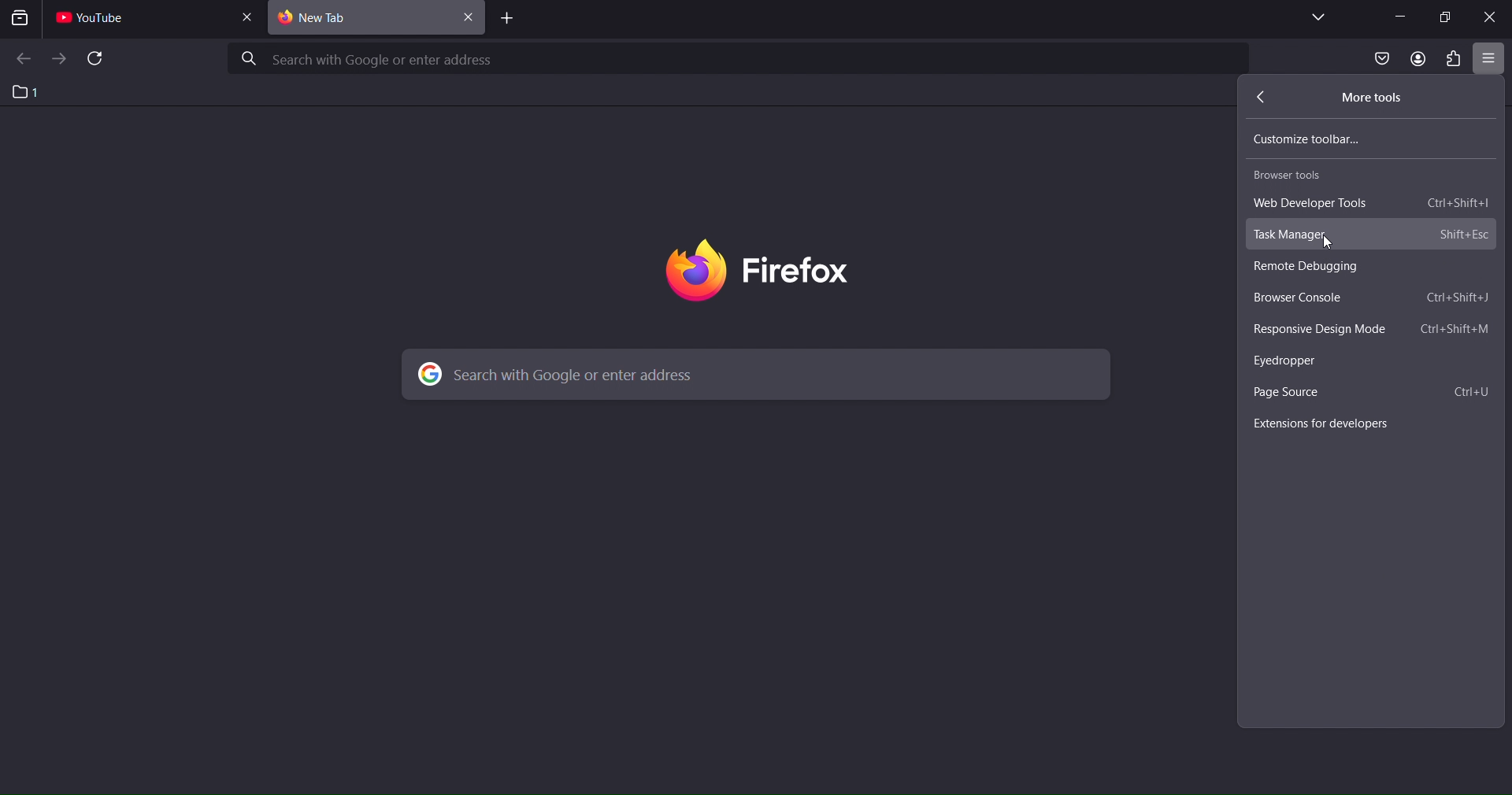  Describe the element at coordinates (1256, 98) in the screenshot. I see `go back` at that location.